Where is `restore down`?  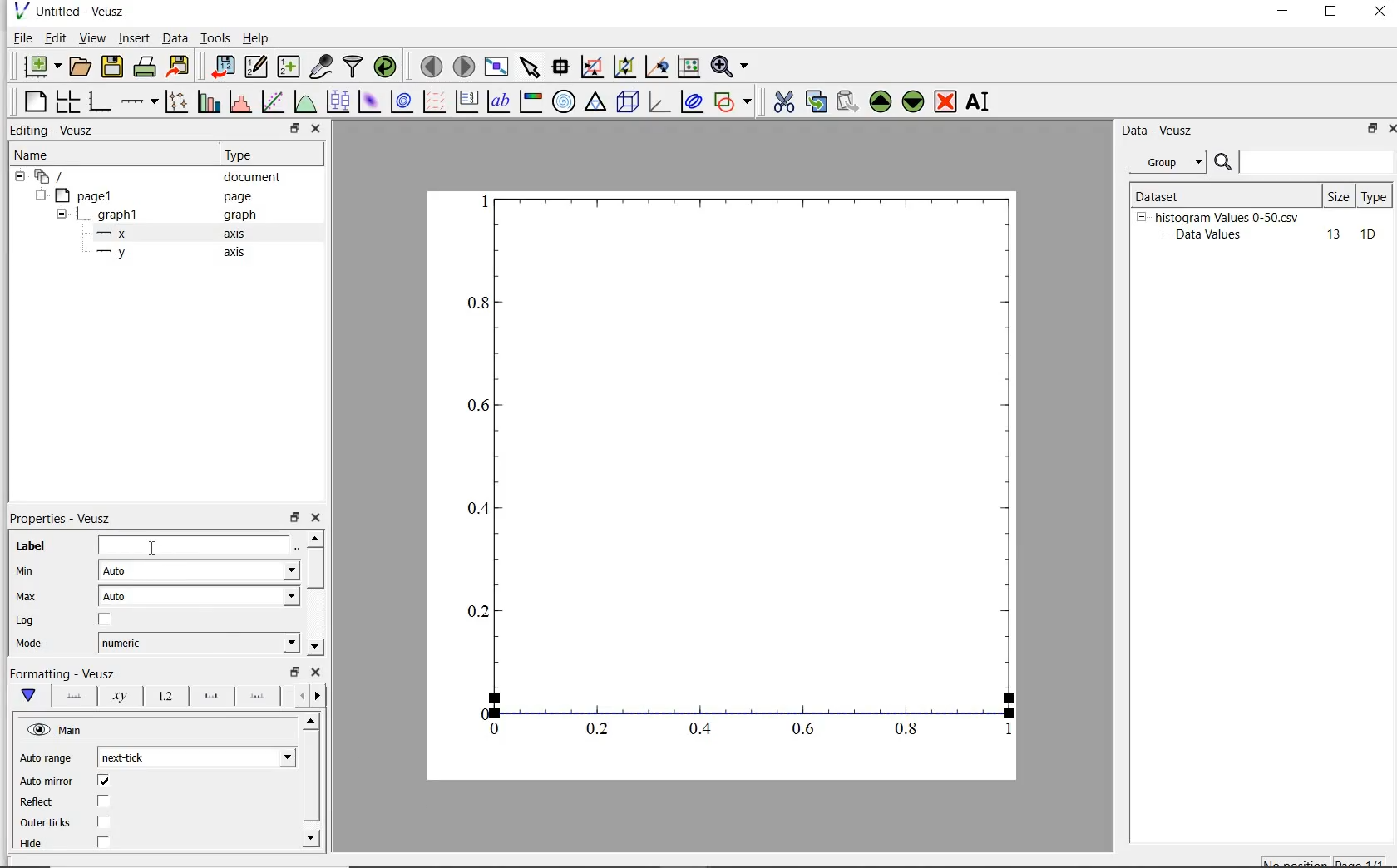
restore down is located at coordinates (295, 672).